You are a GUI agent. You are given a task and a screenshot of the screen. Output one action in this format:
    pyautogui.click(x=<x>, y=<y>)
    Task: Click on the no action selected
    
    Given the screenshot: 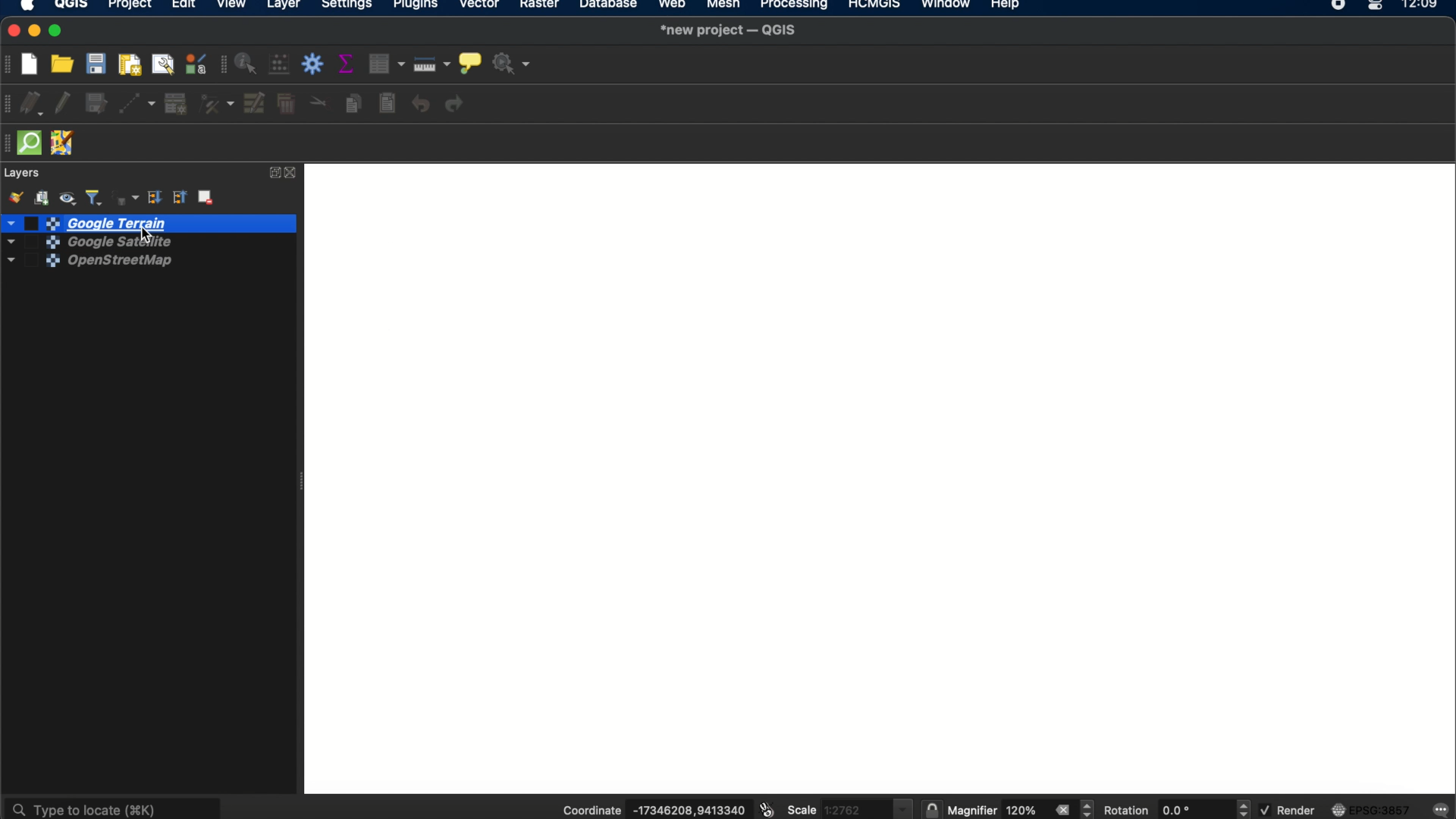 What is the action you would take?
    pyautogui.click(x=511, y=64)
    